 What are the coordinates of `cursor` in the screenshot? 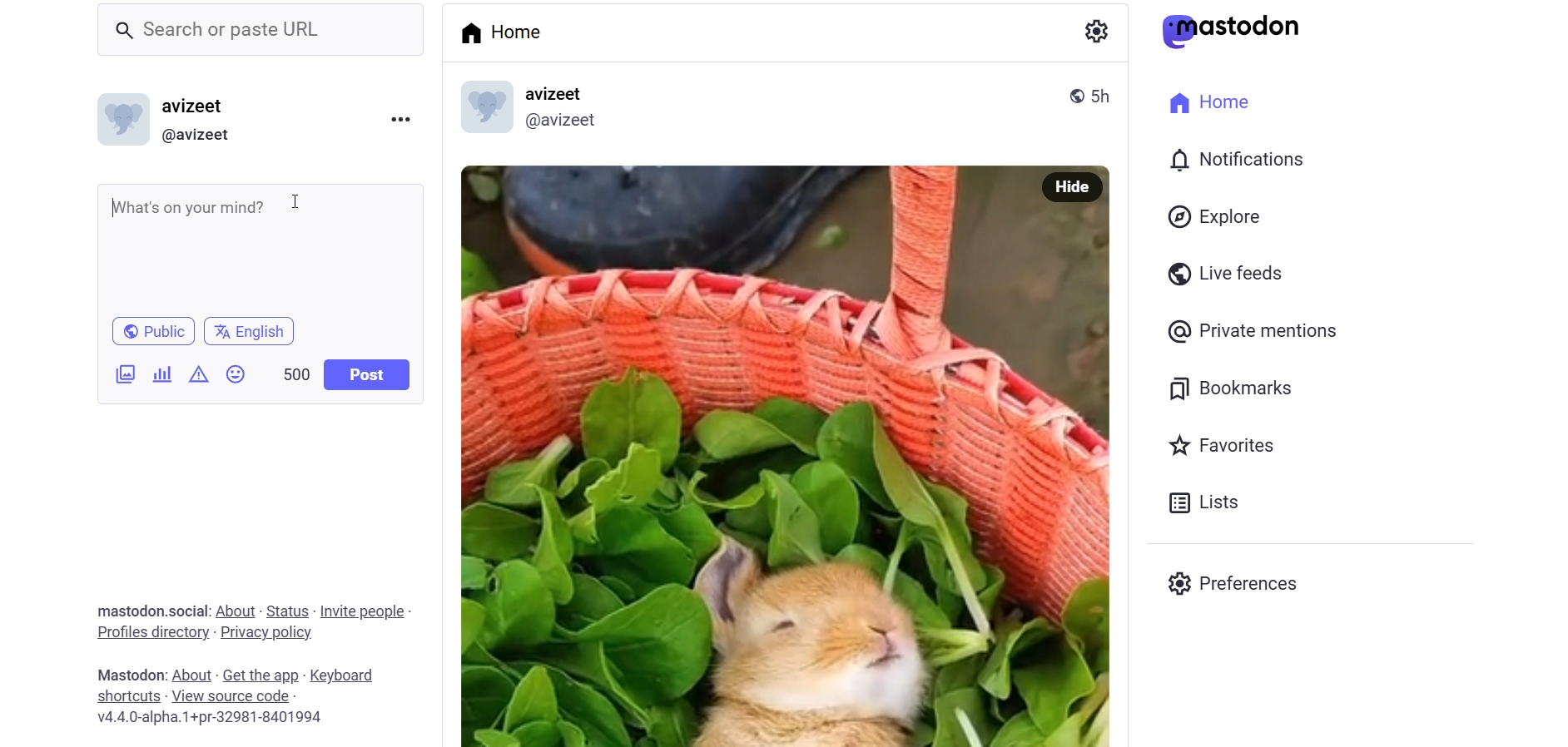 It's located at (295, 202).